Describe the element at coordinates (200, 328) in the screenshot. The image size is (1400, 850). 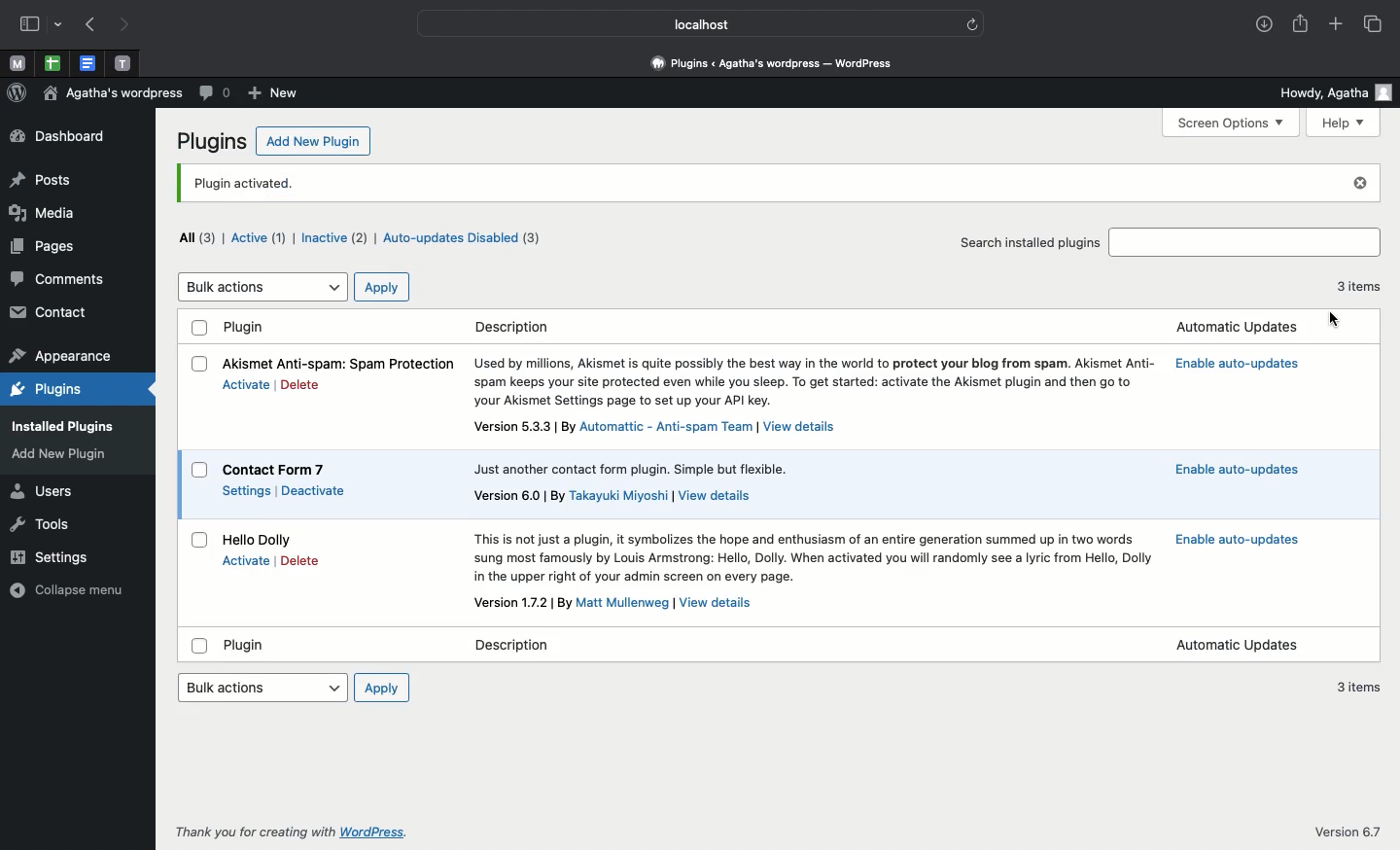
I see `Checkbox` at that location.